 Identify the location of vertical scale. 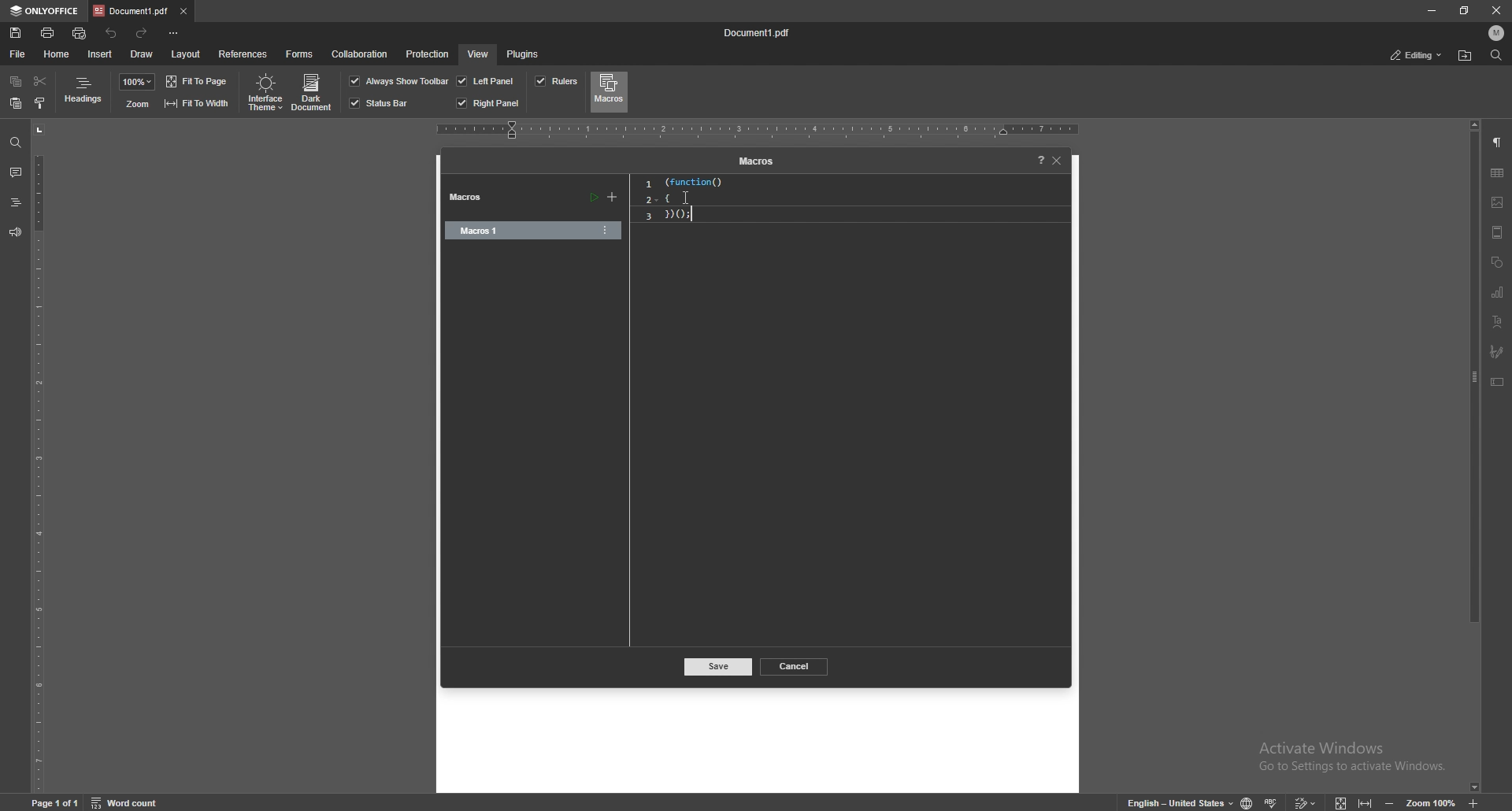
(39, 456).